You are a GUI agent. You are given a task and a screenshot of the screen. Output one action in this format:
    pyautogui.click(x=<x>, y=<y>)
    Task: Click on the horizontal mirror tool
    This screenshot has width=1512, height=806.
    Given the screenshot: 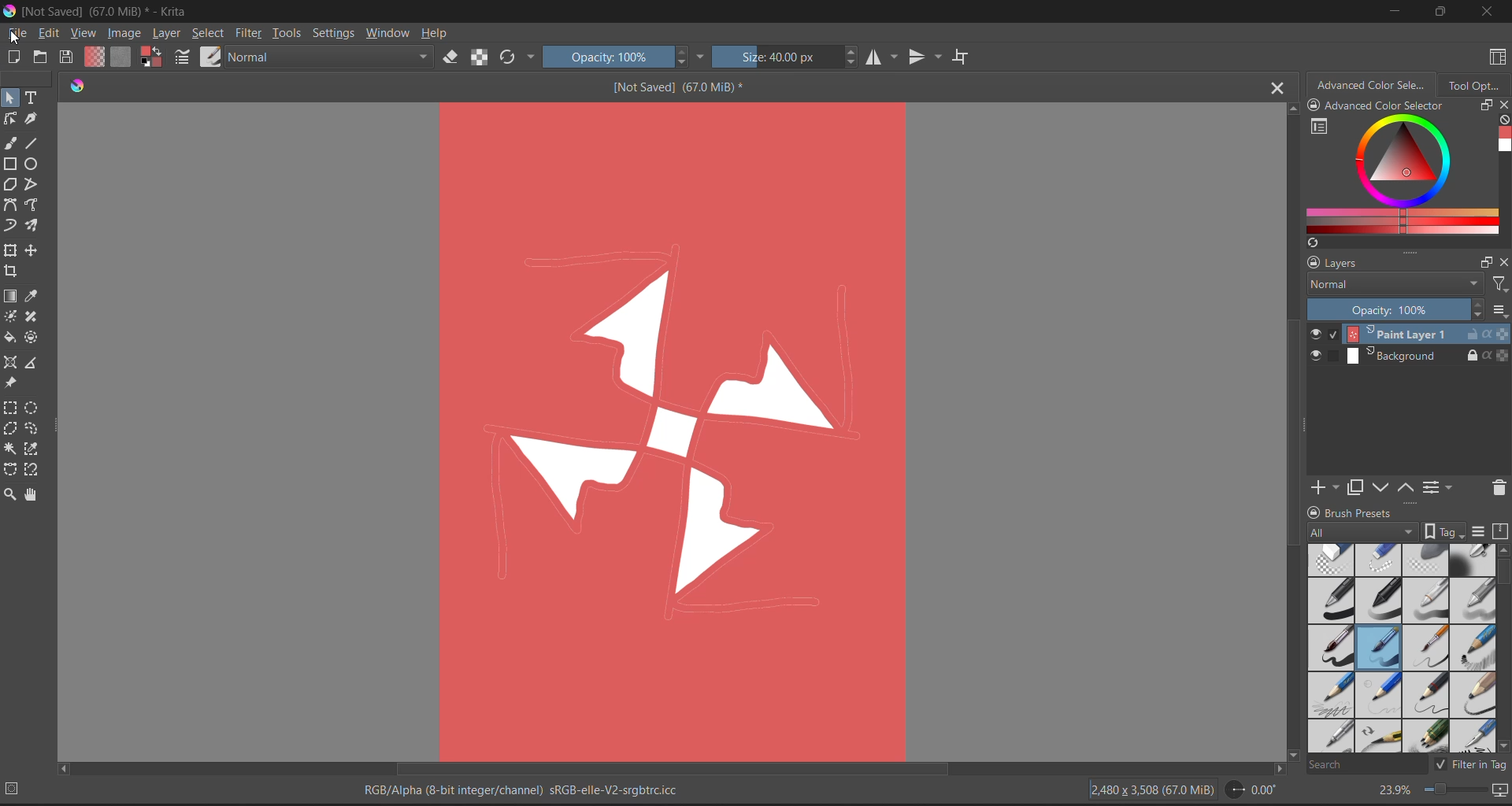 What is the action you would take?
    pyautogui.click(x=884, y=58)
    